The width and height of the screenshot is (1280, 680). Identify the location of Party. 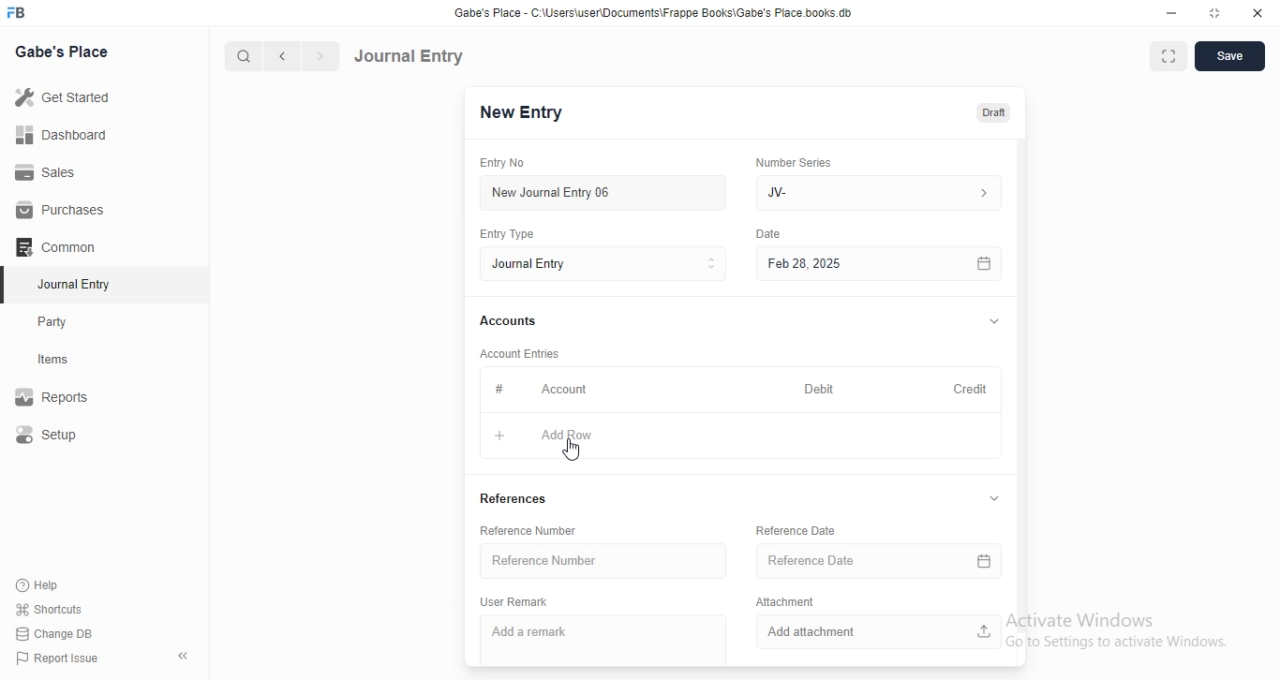
(66, 322).